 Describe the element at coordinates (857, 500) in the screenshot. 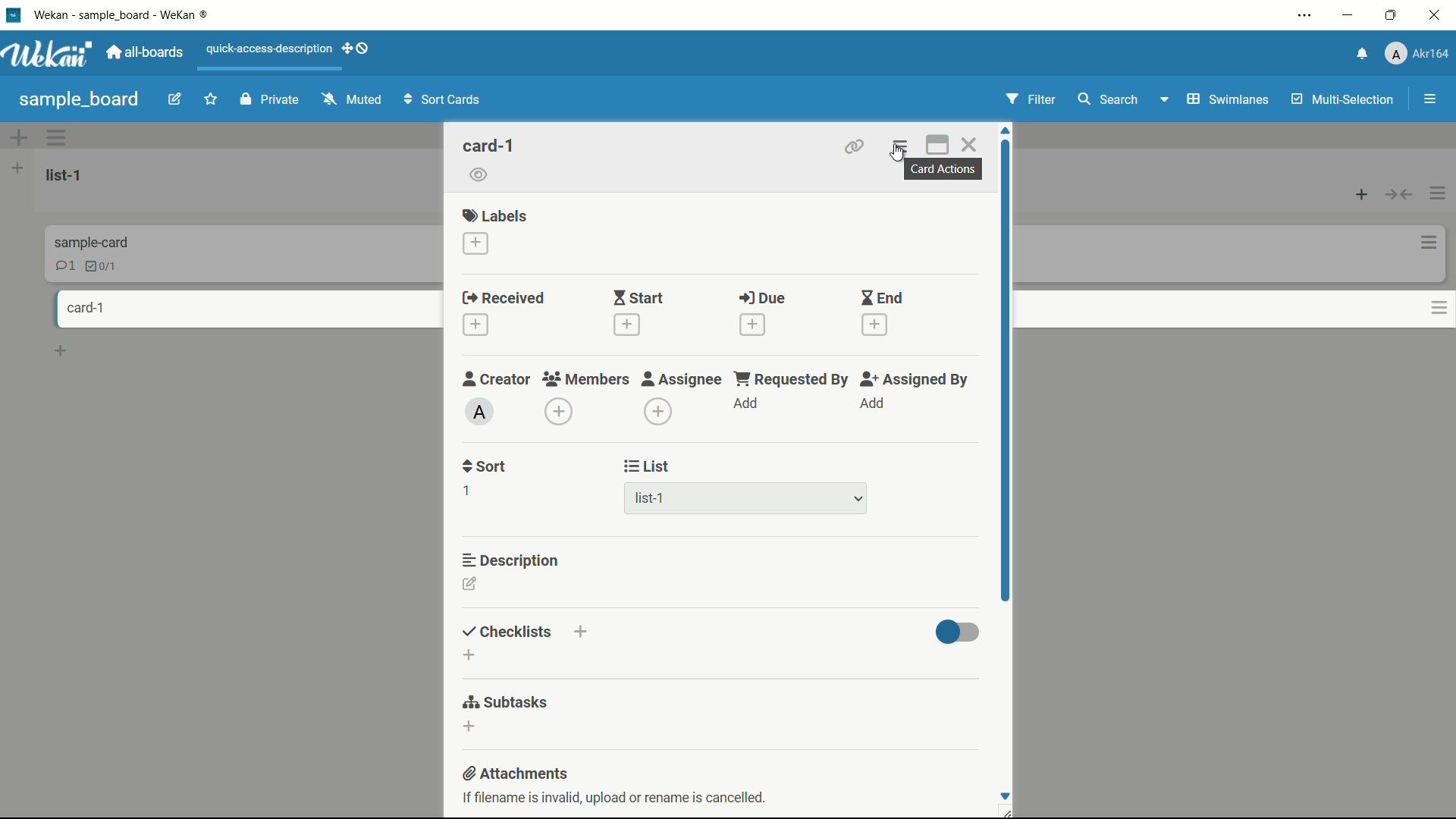

I see `dropdown` at that location.